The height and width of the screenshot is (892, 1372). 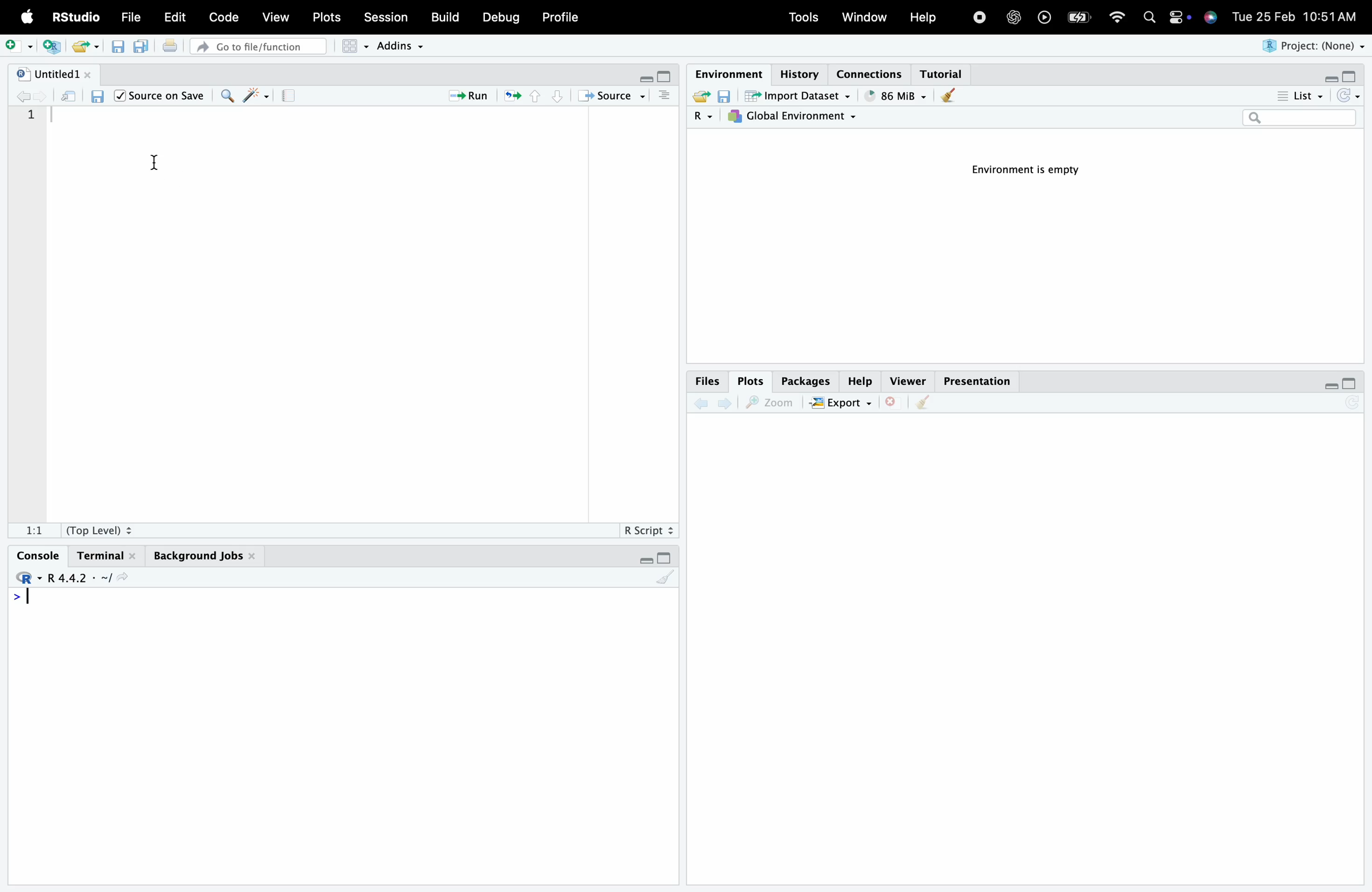 I want to click on Packages, so click(x=801, y=379).